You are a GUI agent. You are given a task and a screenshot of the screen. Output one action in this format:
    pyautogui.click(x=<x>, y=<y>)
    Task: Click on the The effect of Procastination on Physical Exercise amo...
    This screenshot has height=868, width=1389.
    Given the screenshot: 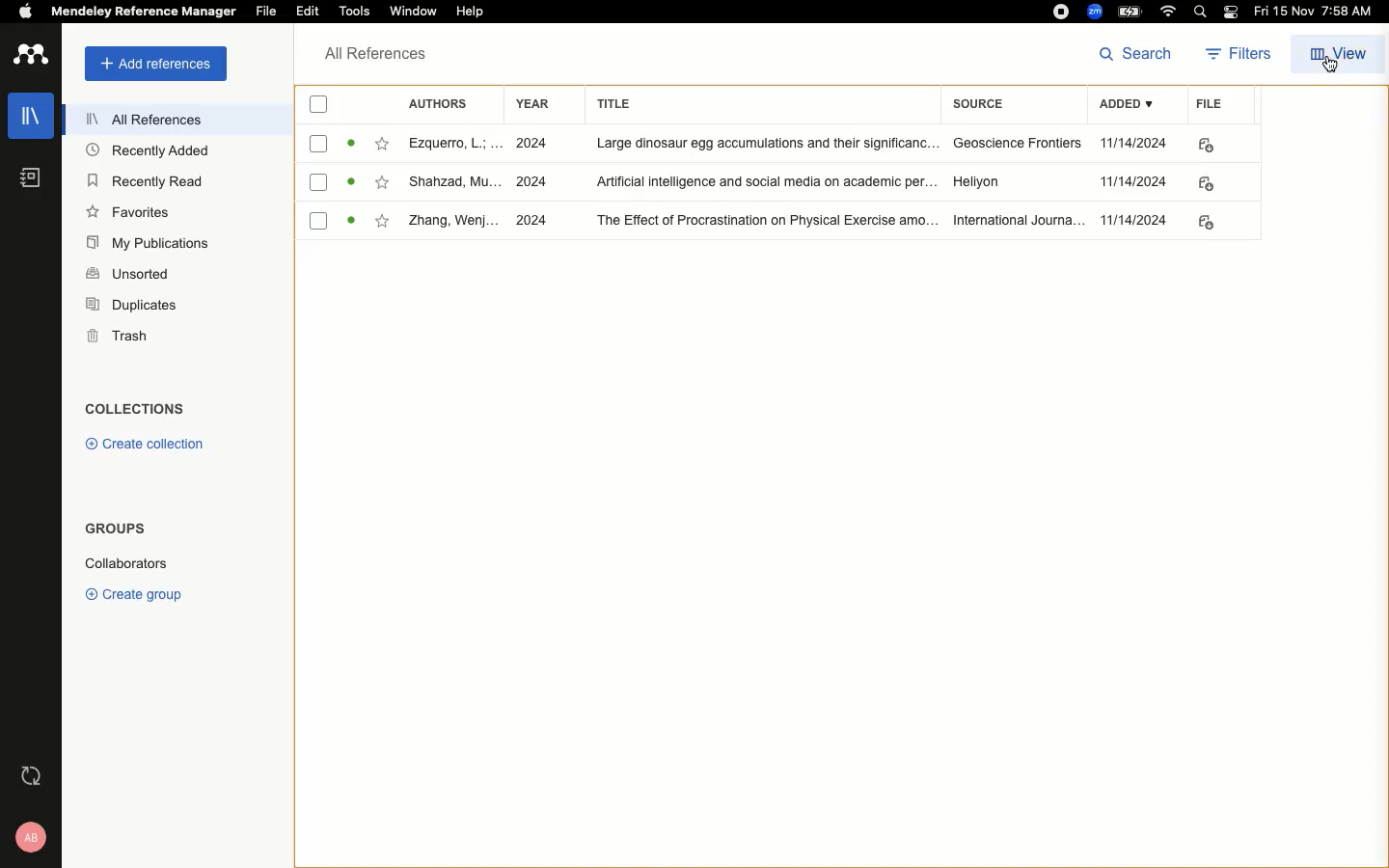 What is the action you would take?
    pyautogui.click(x=757, y=220)
    